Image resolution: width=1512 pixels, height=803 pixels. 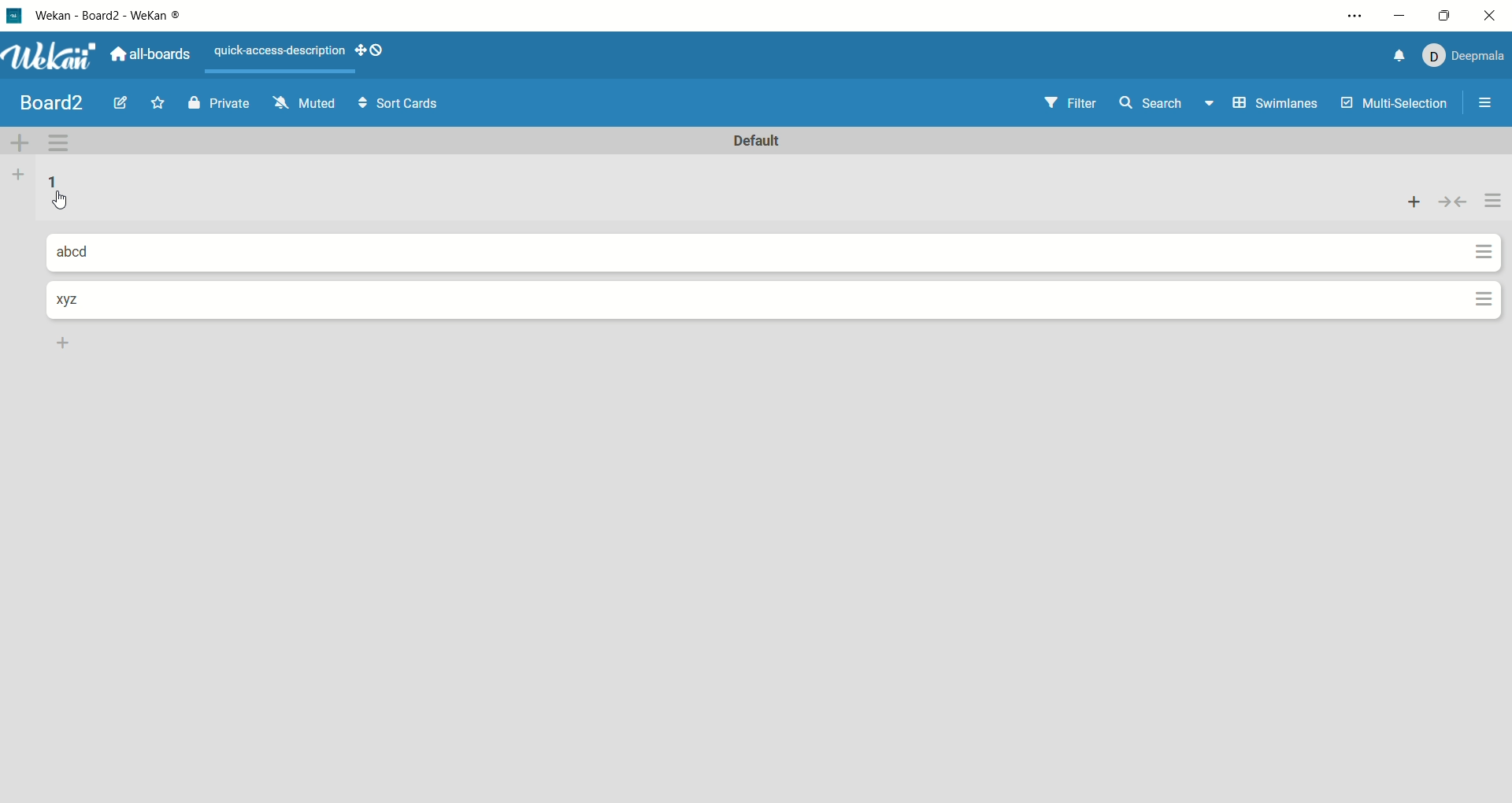 I want to click on show-desktop-drag-handles, so click(x=376, y=52).